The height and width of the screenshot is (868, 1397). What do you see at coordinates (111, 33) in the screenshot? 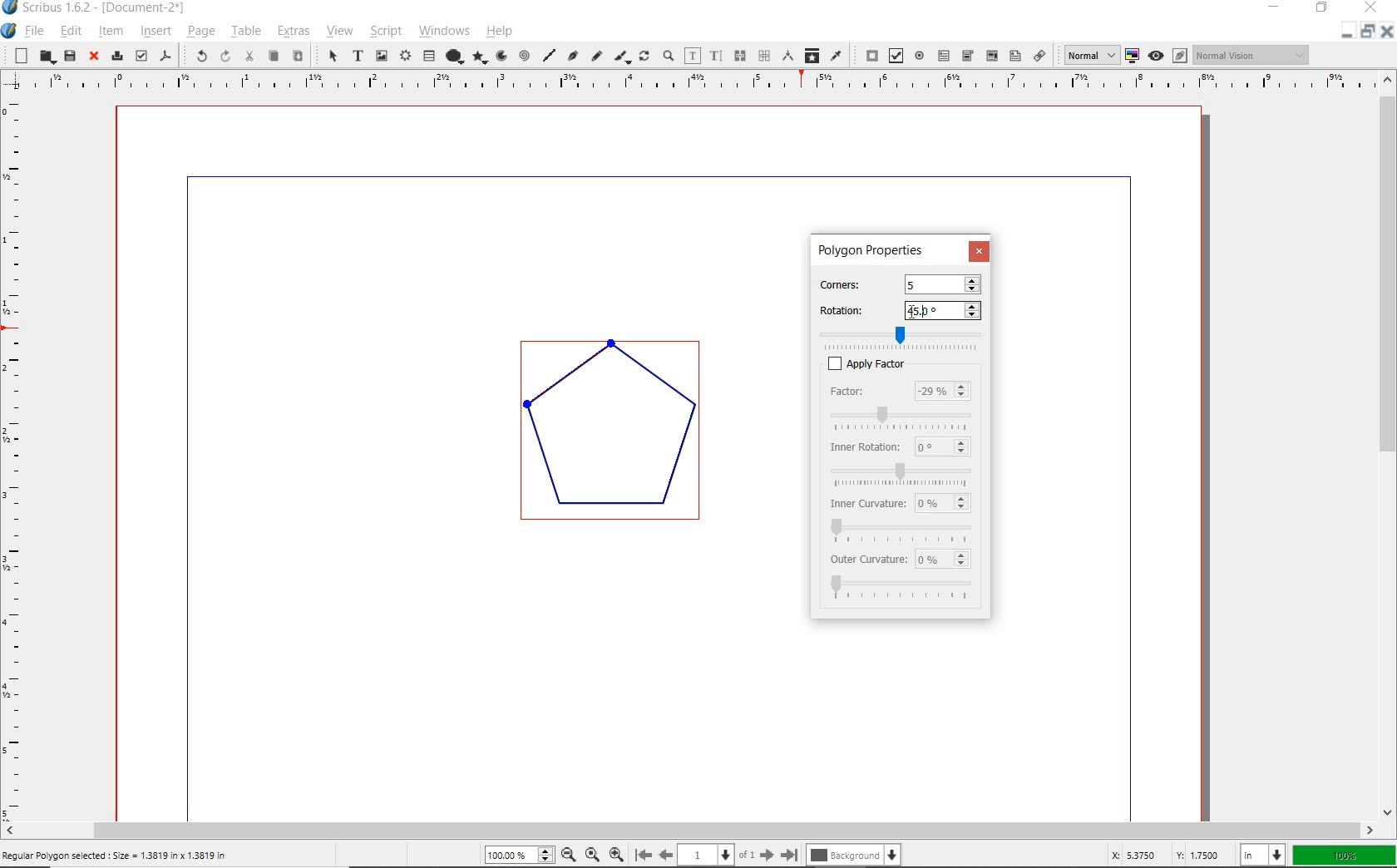
I see `item` at bounding box center [111, 33].